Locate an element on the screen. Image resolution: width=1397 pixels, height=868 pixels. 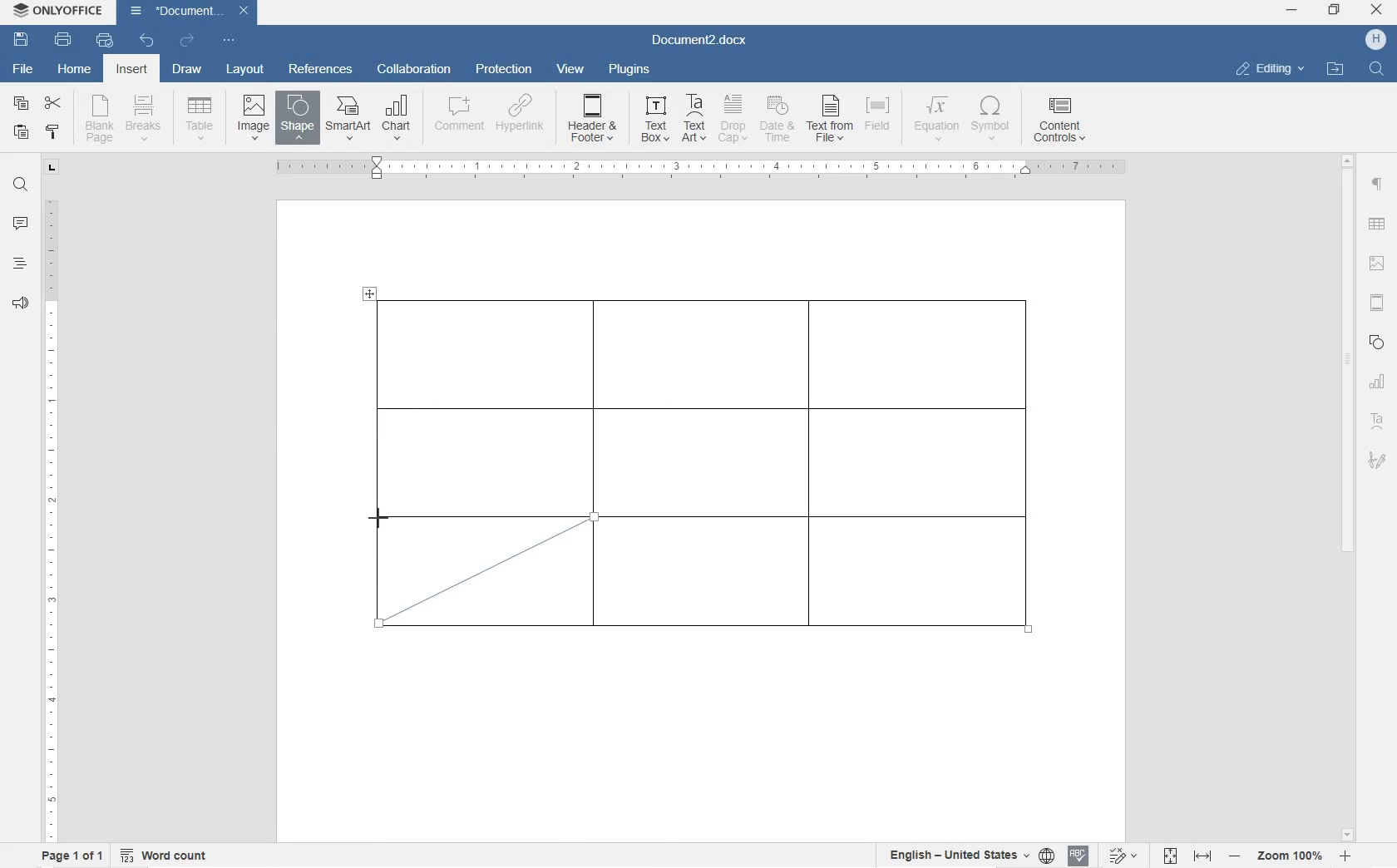
file is located at coordinates (26, 71).